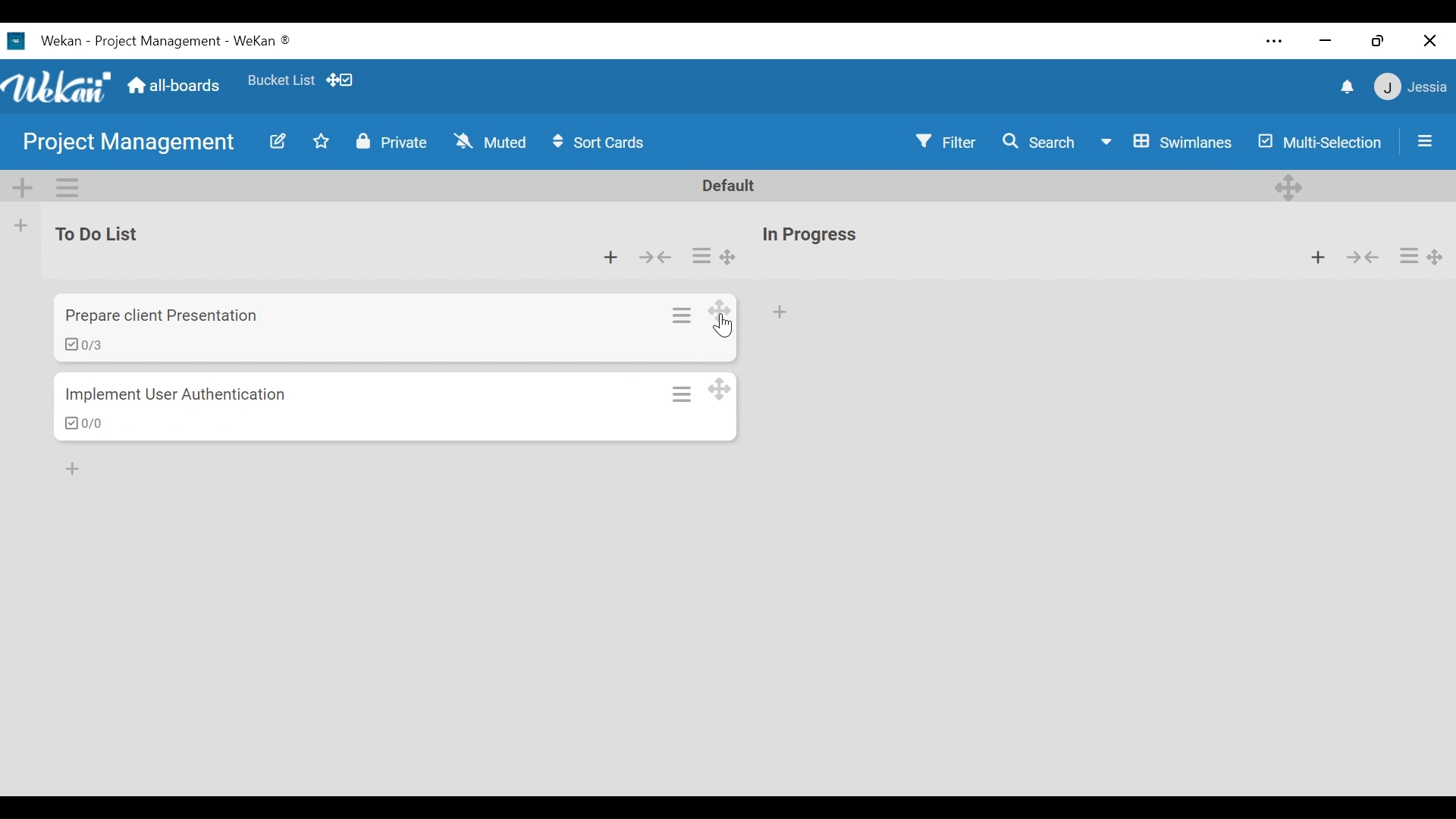  Describe the element at coordinates (158, 315) in the screenshot. I see `card name` at that location.